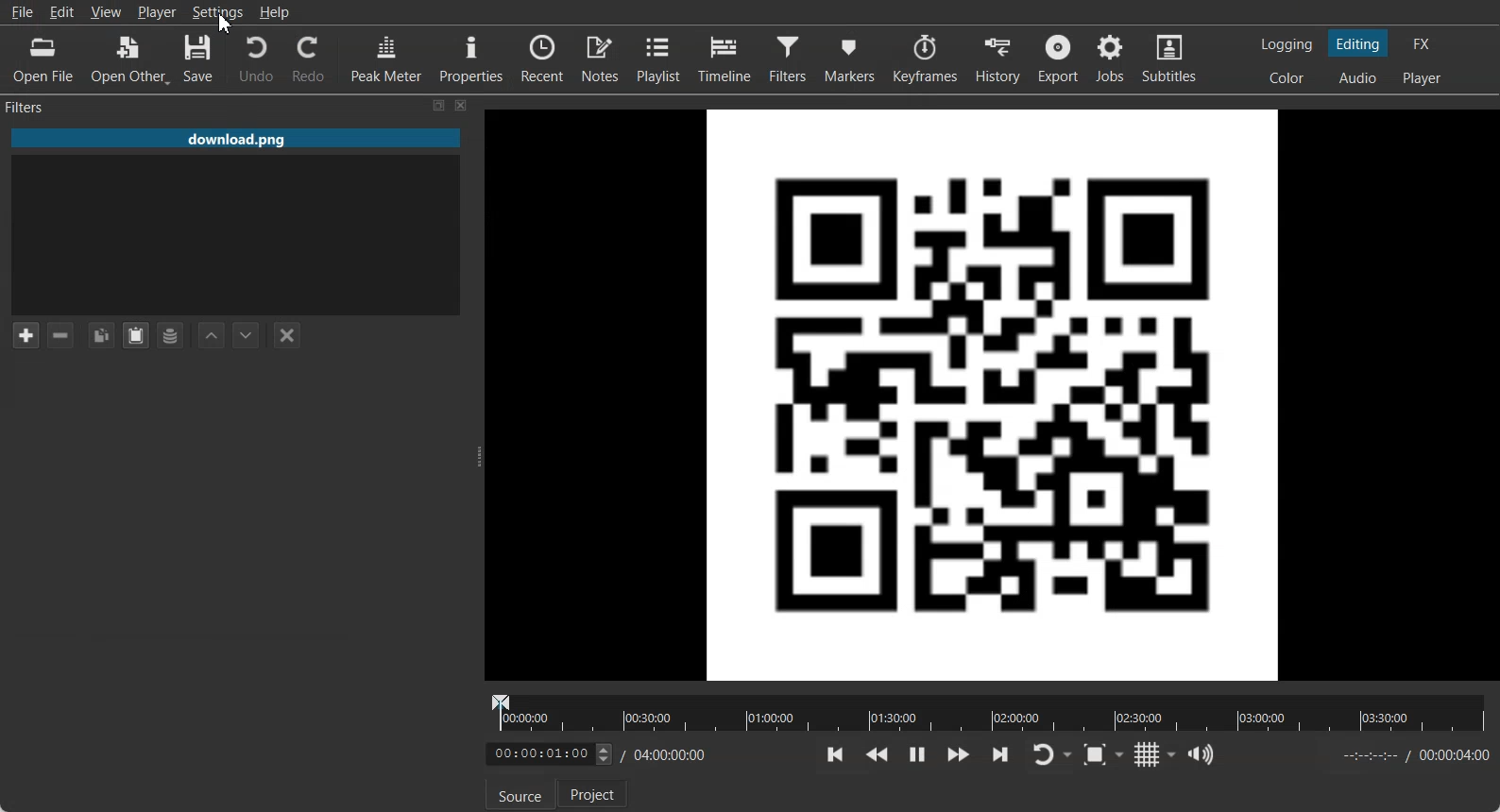 The image size is (1500, 812). What do you see at coordinates (1359, 43) in the screenshot?
I see `Switch to the Editing layout` at bounding box center [1359, 43].